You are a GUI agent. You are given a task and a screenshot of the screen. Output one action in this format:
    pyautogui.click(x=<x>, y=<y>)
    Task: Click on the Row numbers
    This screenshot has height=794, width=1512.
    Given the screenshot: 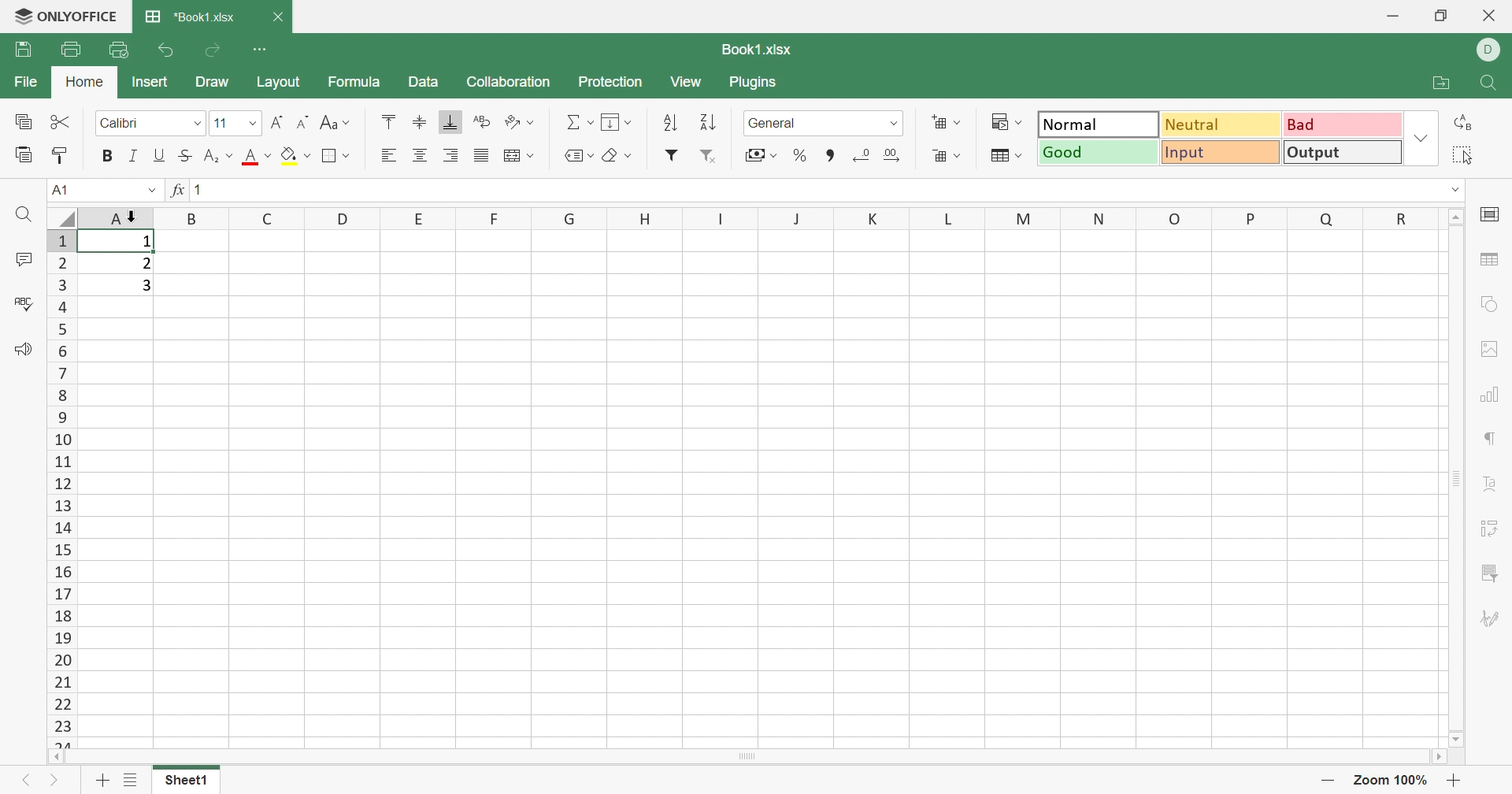 What is the action you would take?
    pyautogui.click(x=64, y=488)
    